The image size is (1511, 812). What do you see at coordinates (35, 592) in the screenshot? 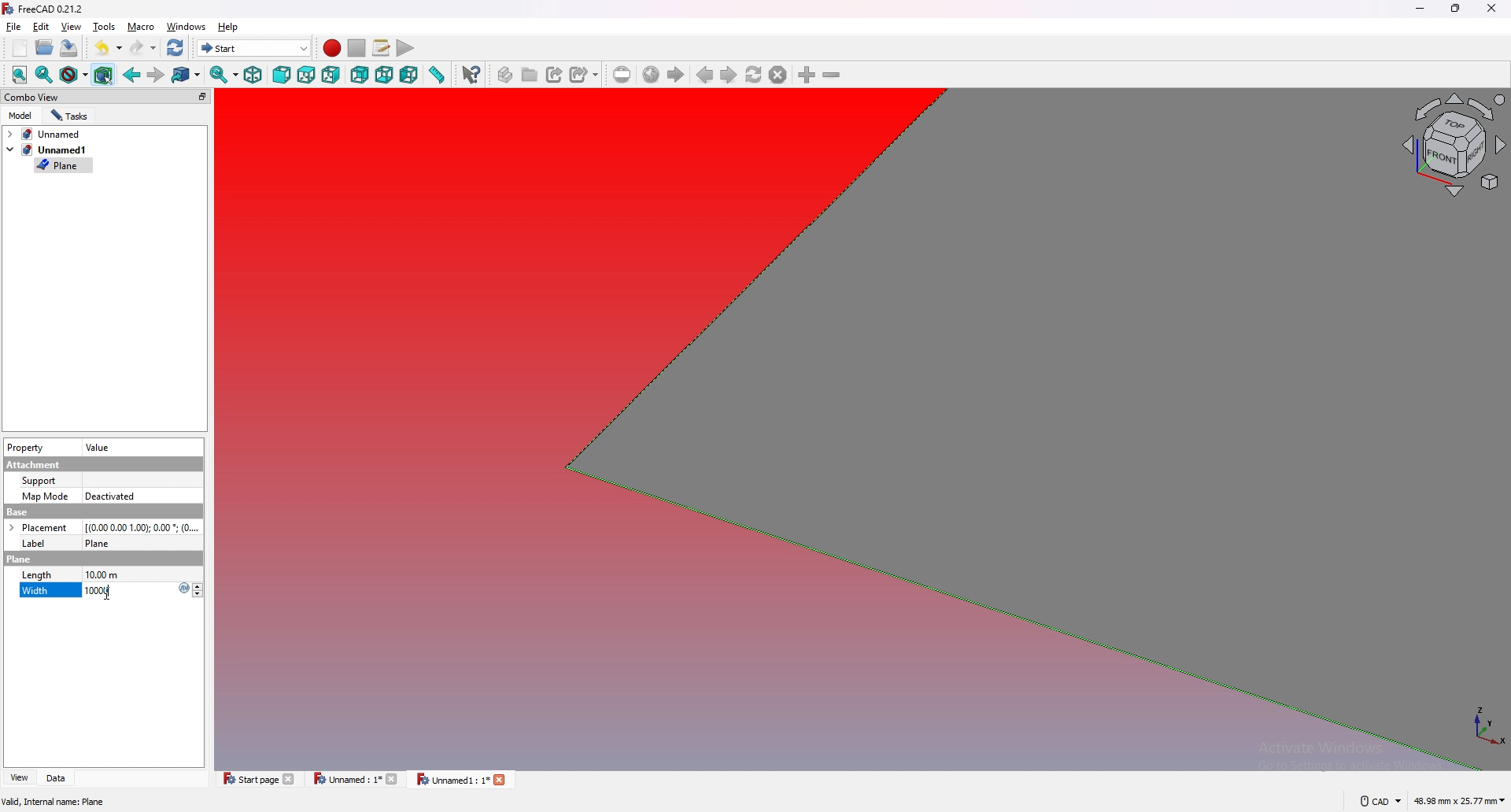
I see `width` at bounding box center [35, 592].